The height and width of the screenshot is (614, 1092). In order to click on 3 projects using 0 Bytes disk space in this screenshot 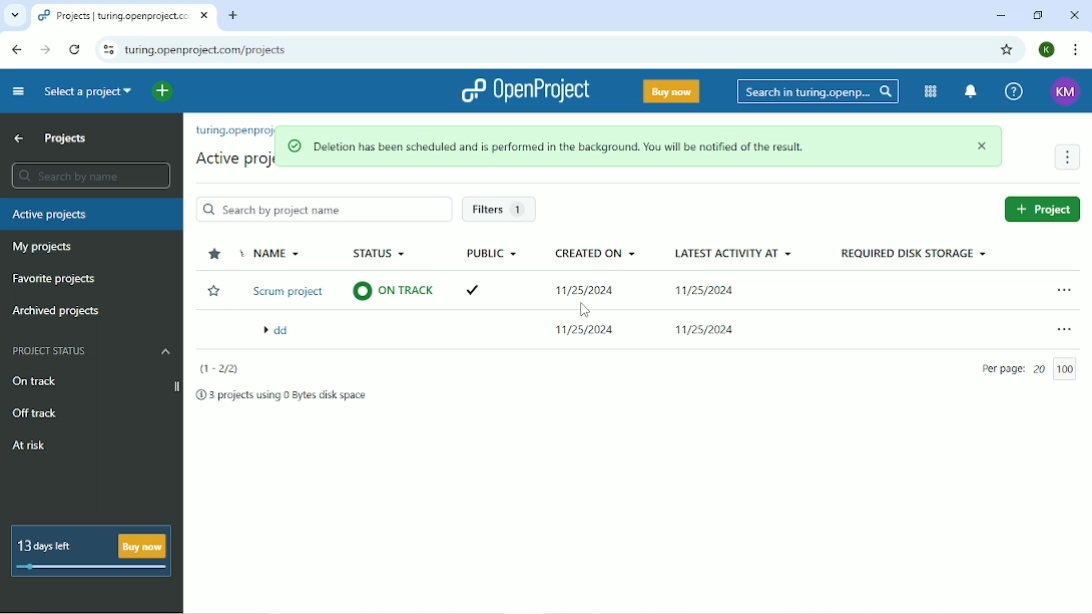, I will do `click(282, 394)`.